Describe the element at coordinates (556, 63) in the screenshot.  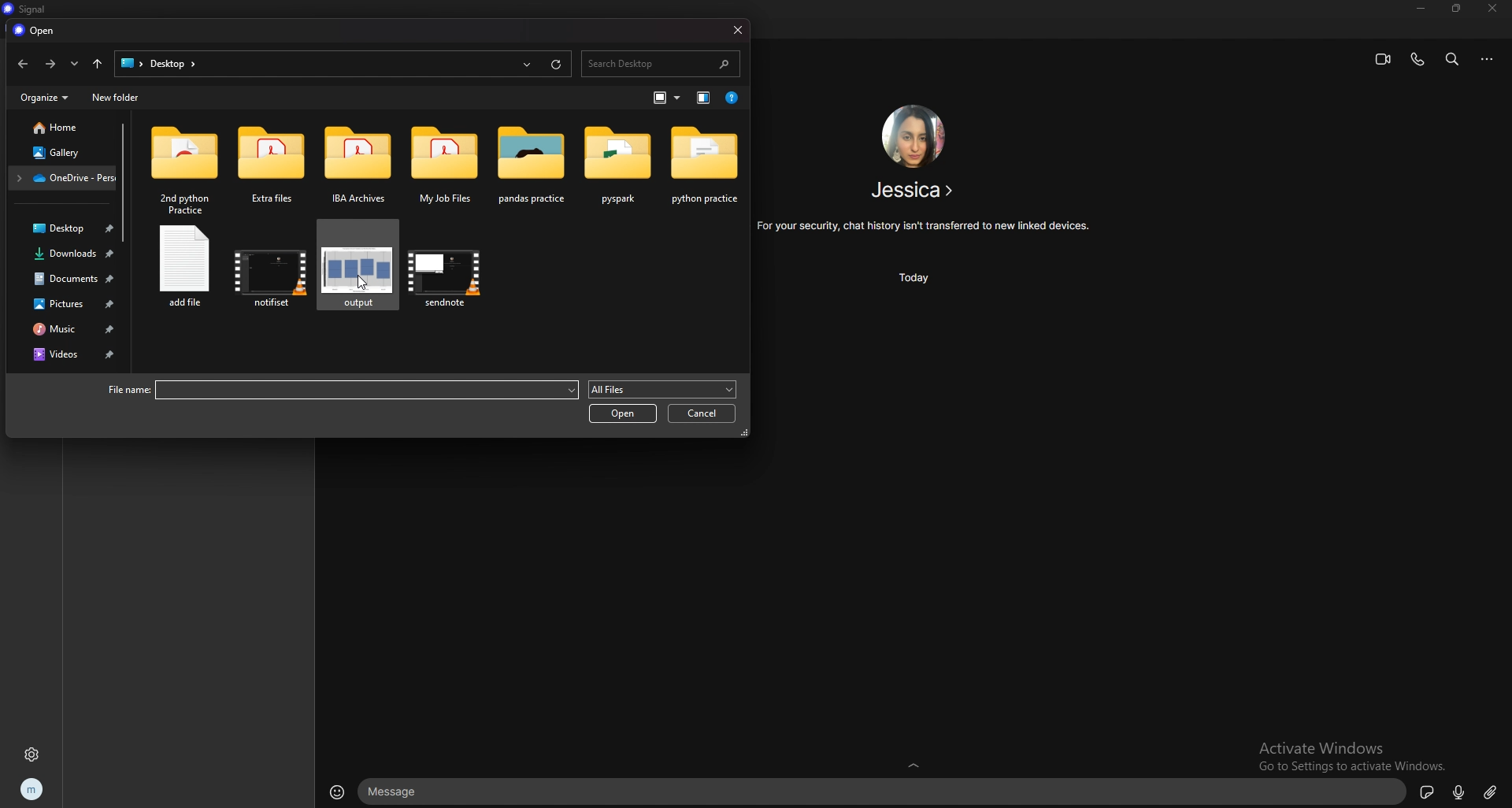
I see `refresh` at that location.